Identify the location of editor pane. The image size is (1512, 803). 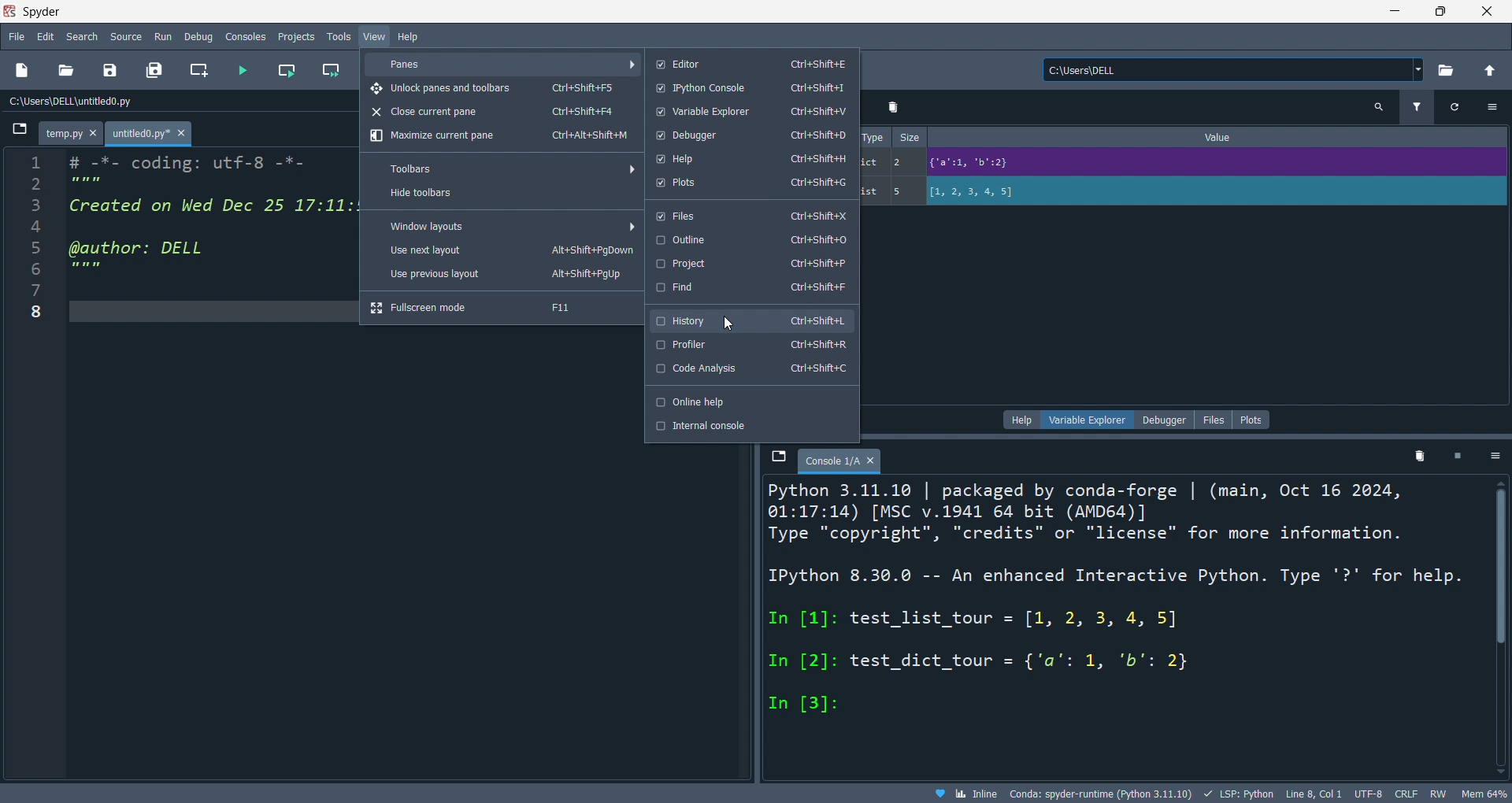
(212, 222).